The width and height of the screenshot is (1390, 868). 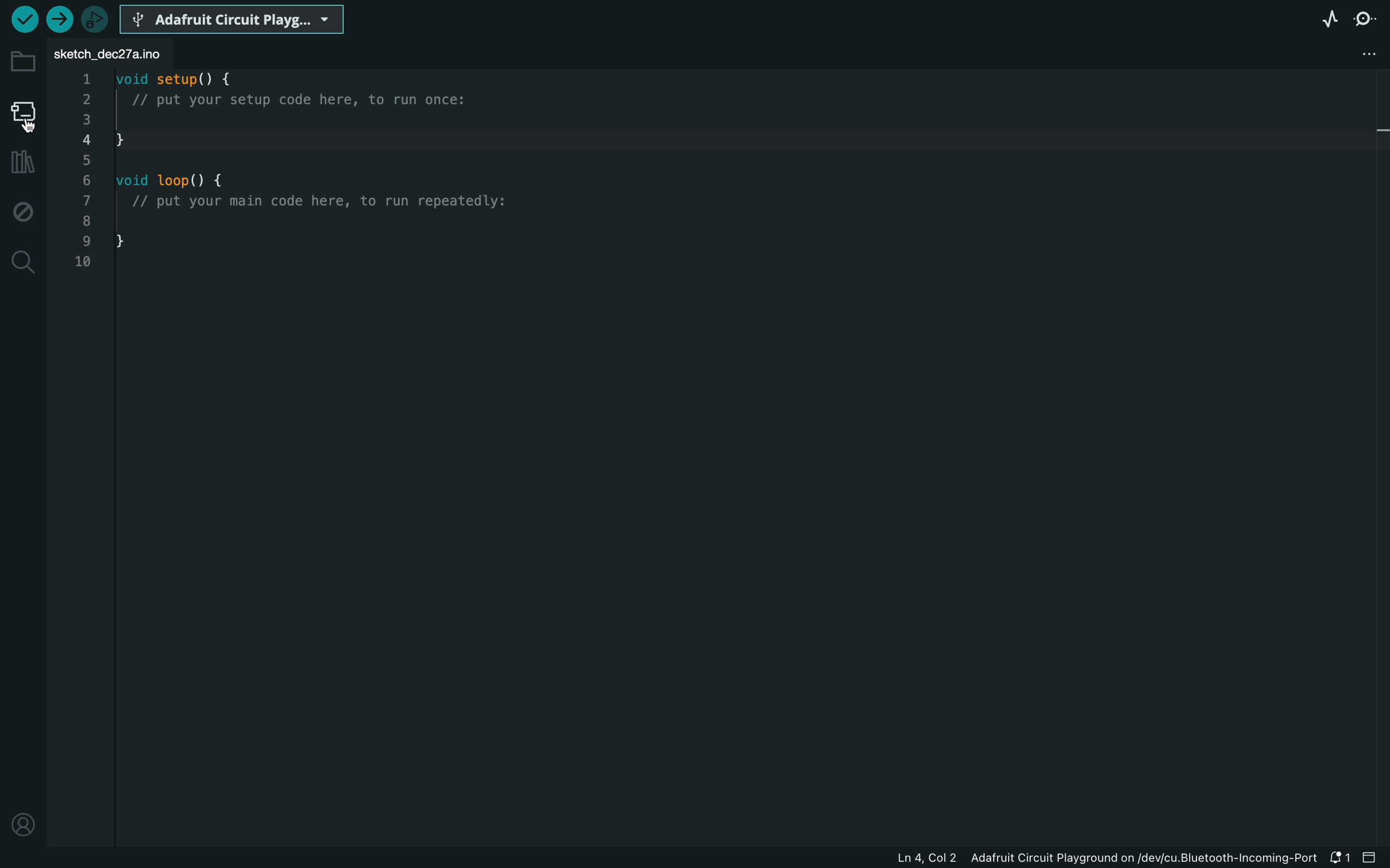 I want to click on serial monitor, so click(x=1366, y=20).